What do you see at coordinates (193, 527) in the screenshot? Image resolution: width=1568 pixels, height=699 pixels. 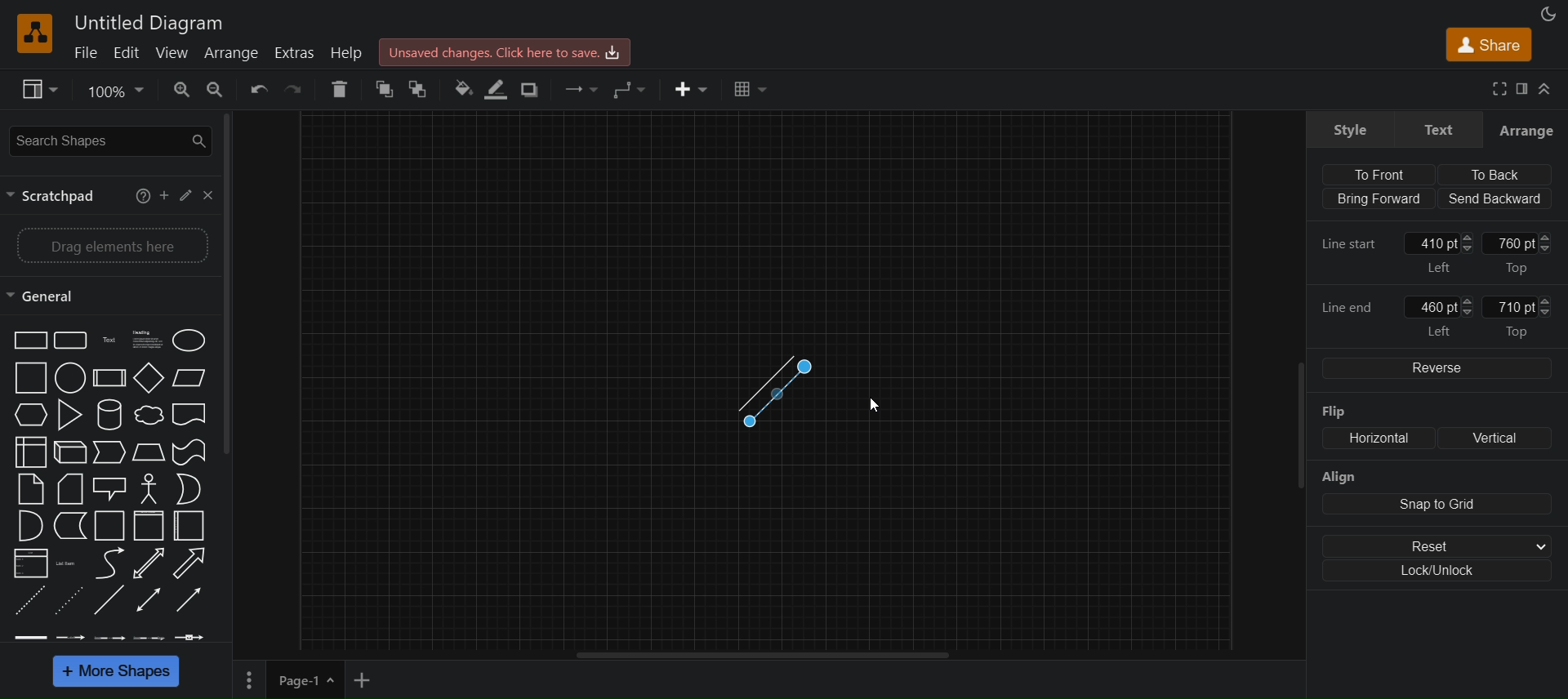 I see `Horizontal container` at bounding box center [193, 527].